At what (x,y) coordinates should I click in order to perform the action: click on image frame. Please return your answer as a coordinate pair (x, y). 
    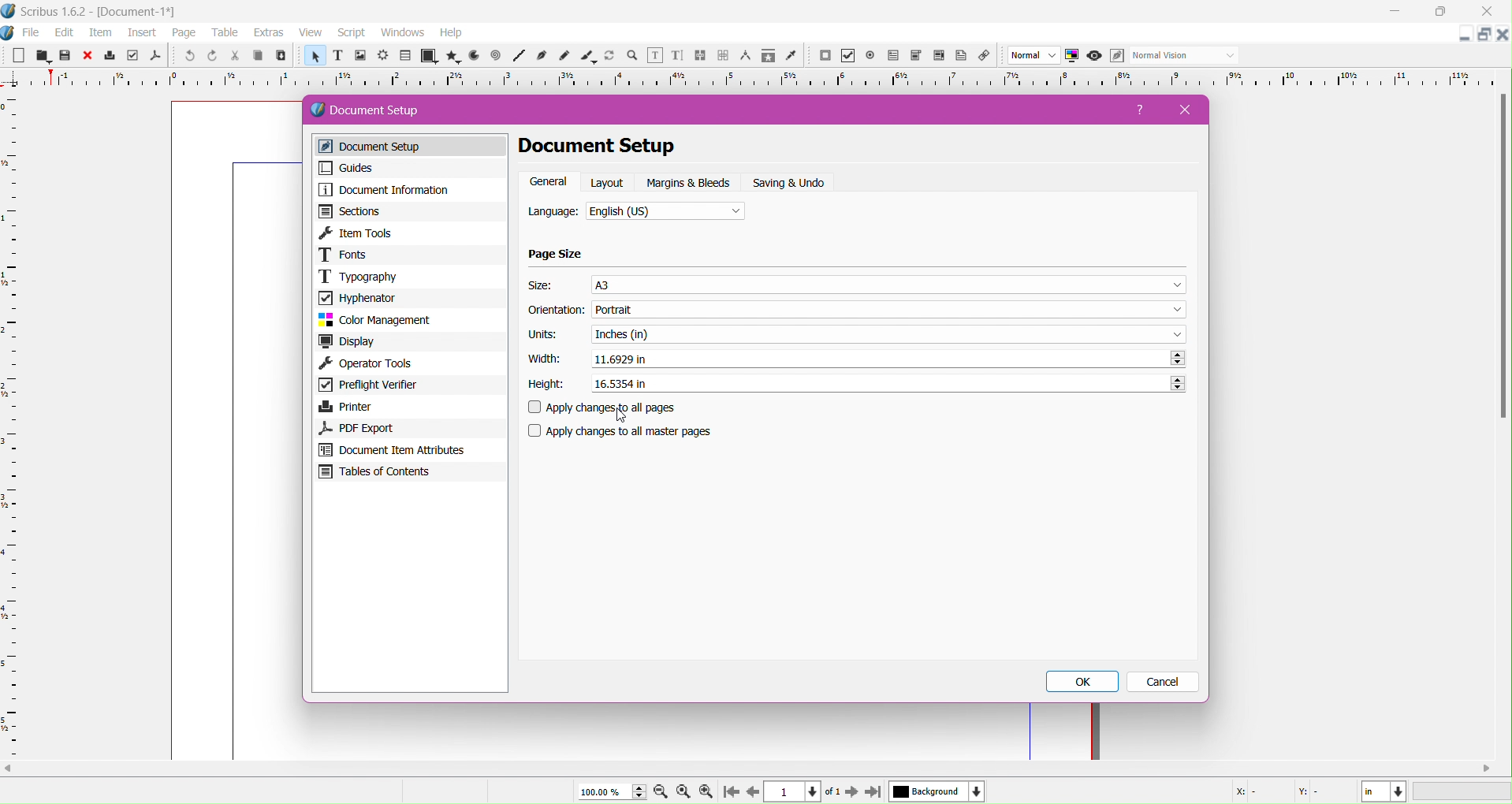
    Looking at the image, I should click on (359, 57).